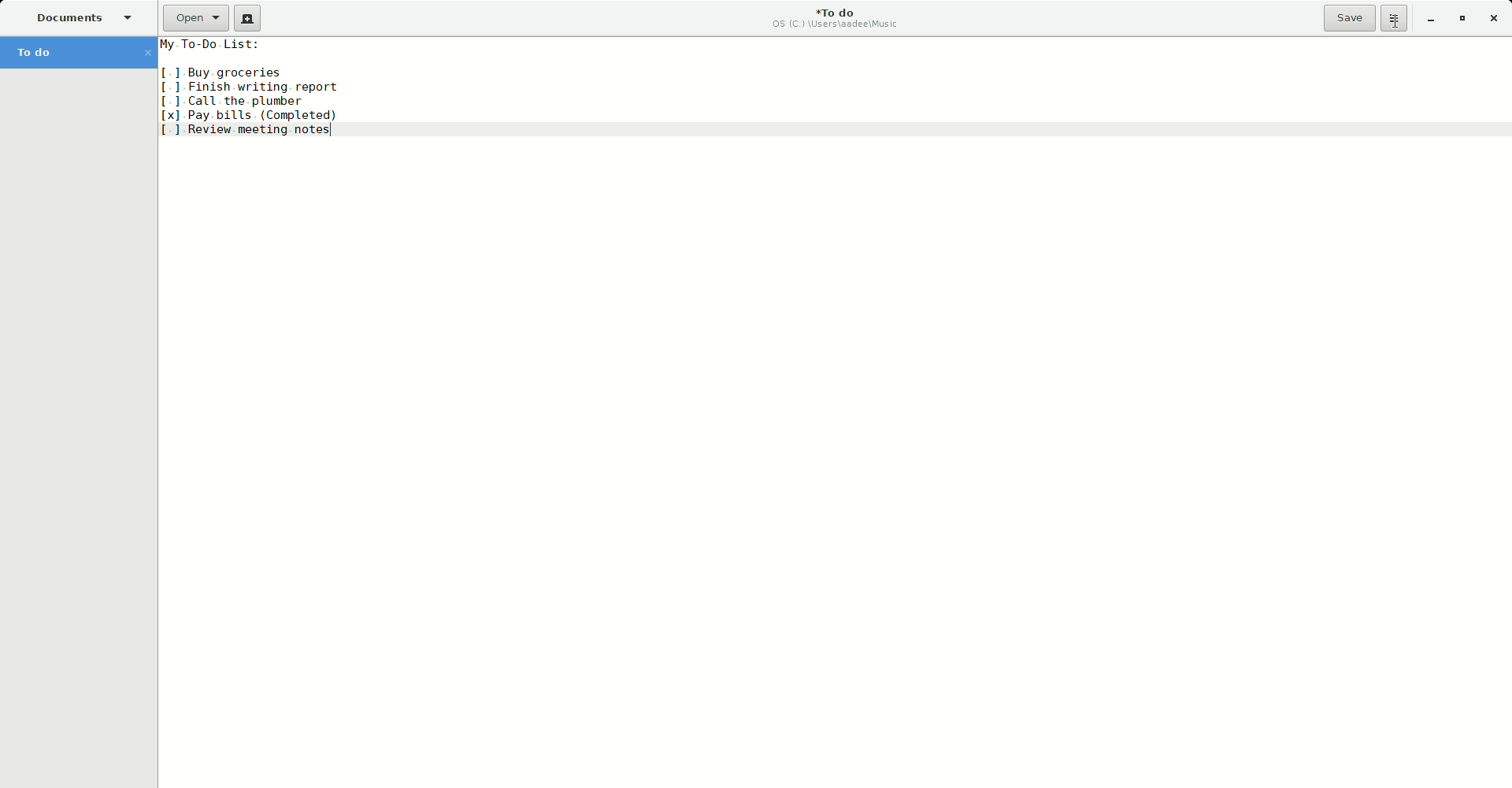  I want to click on New, so click(250, 19).